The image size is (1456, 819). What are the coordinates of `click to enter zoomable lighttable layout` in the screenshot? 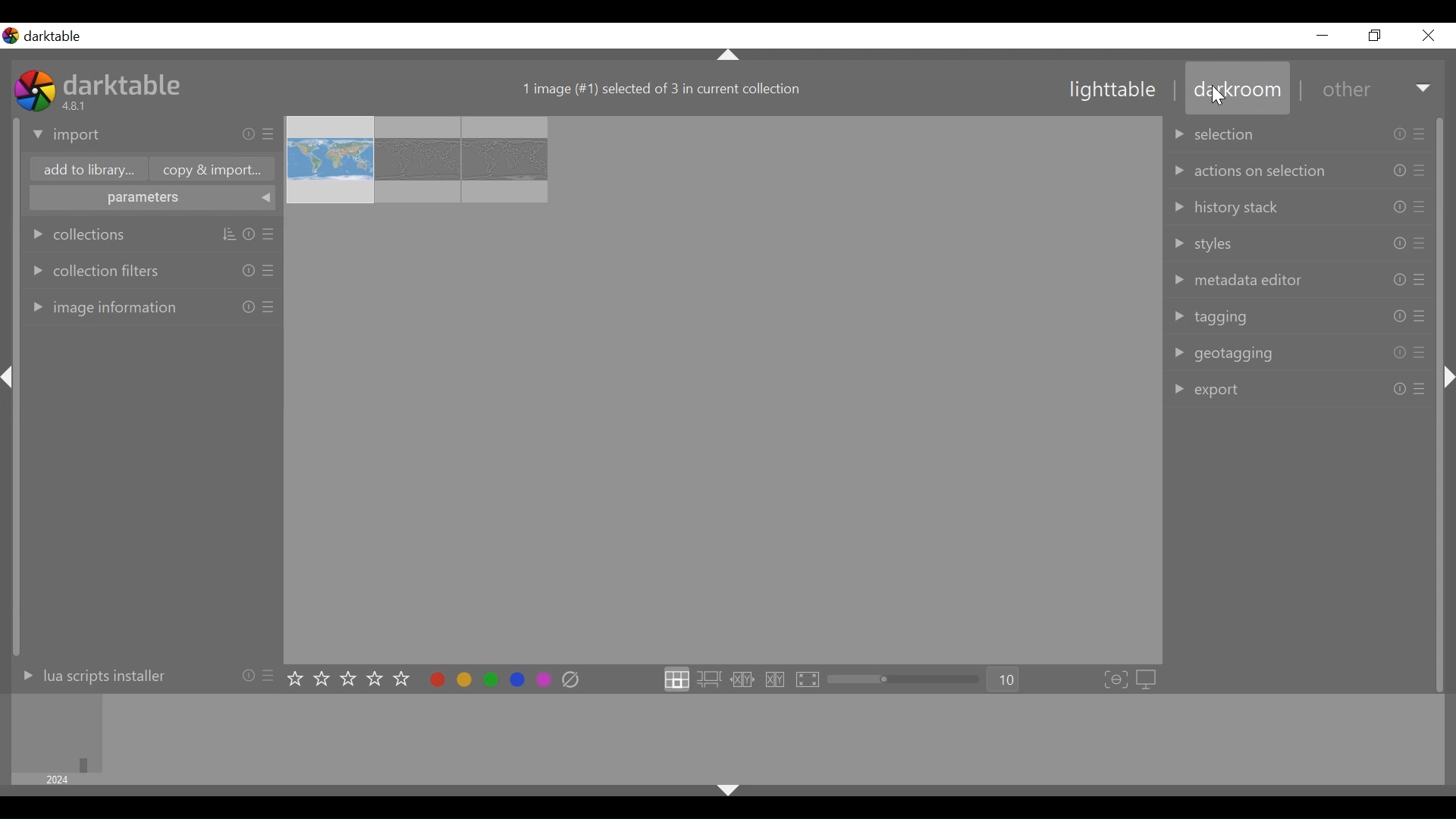 It's located at (709, 679).